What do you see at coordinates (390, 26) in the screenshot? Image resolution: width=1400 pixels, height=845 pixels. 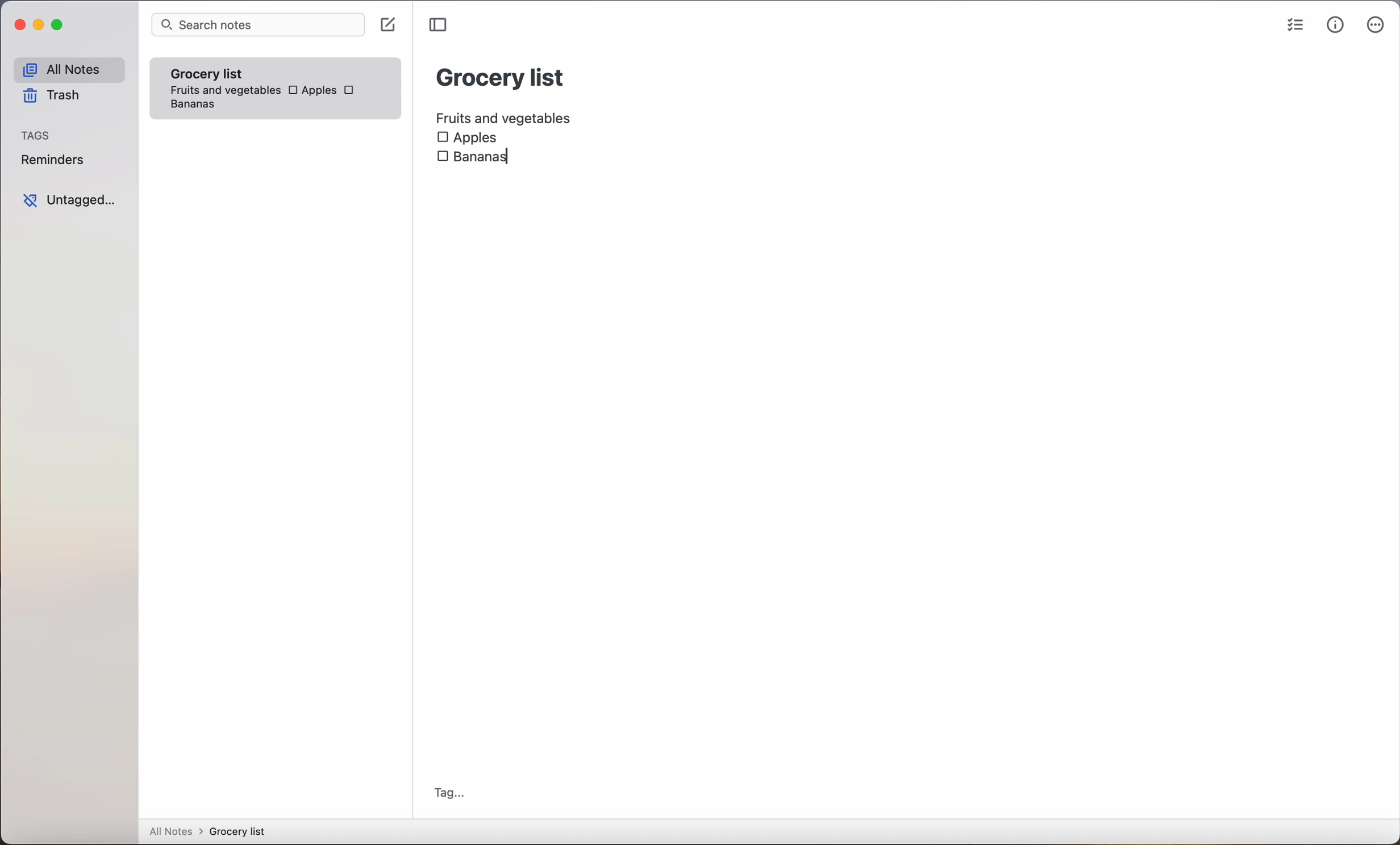 I see `click on create note` at bounding box center [390, 26].